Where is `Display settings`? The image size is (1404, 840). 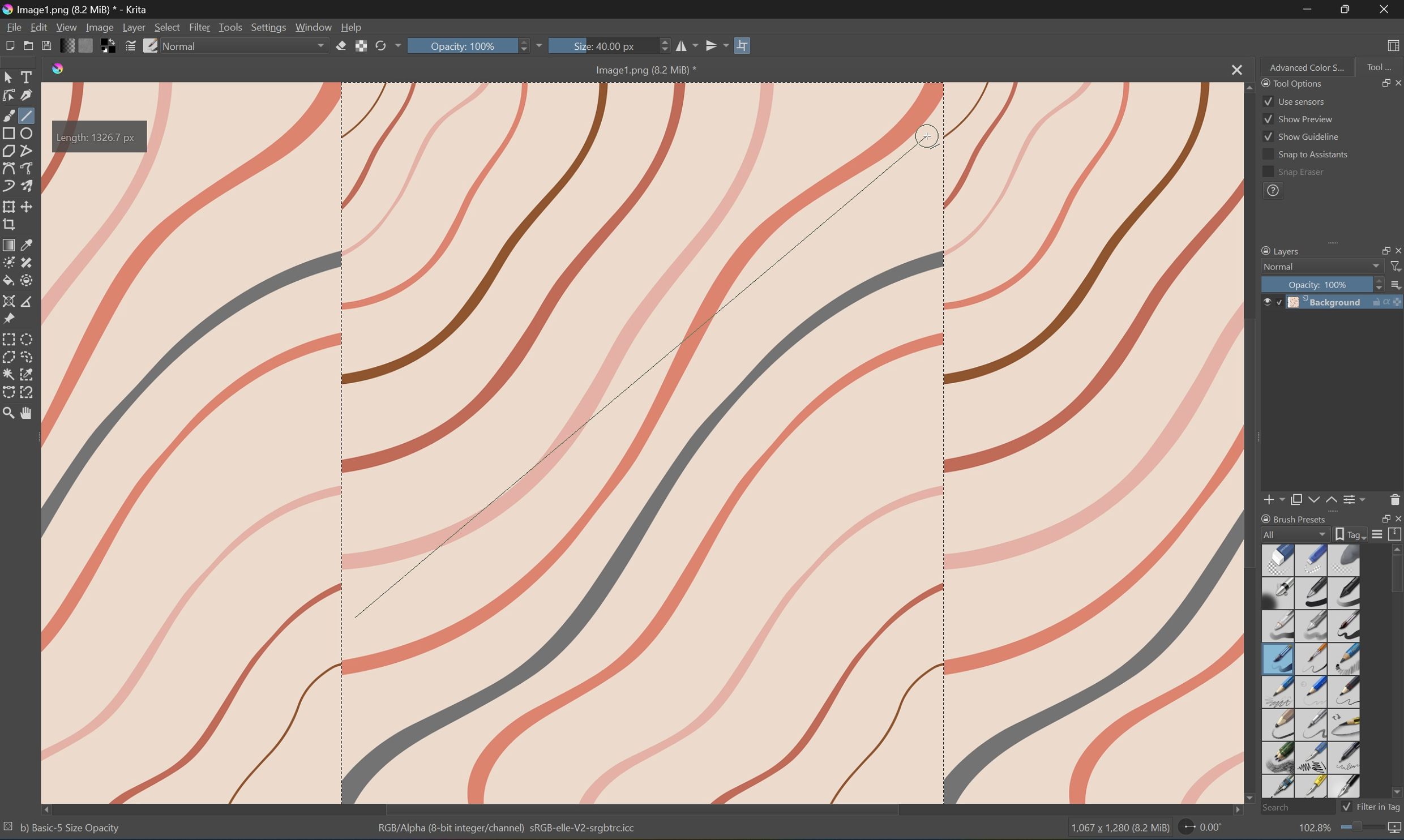 Display settings is located at coordinates (1379, 535).